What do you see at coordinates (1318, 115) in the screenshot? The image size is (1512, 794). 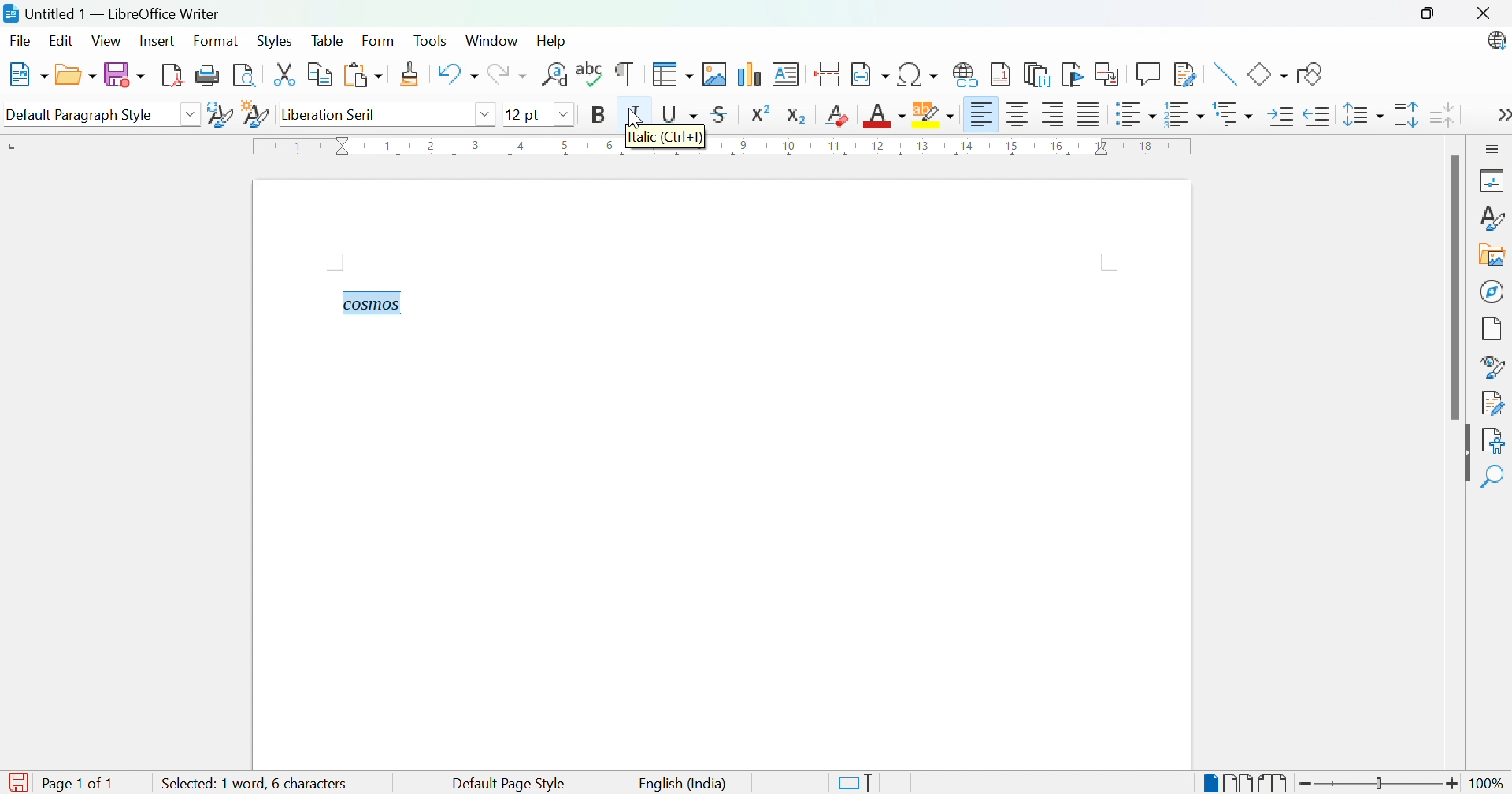 I see `Decrease indent` at bounding box center [1318, 115].